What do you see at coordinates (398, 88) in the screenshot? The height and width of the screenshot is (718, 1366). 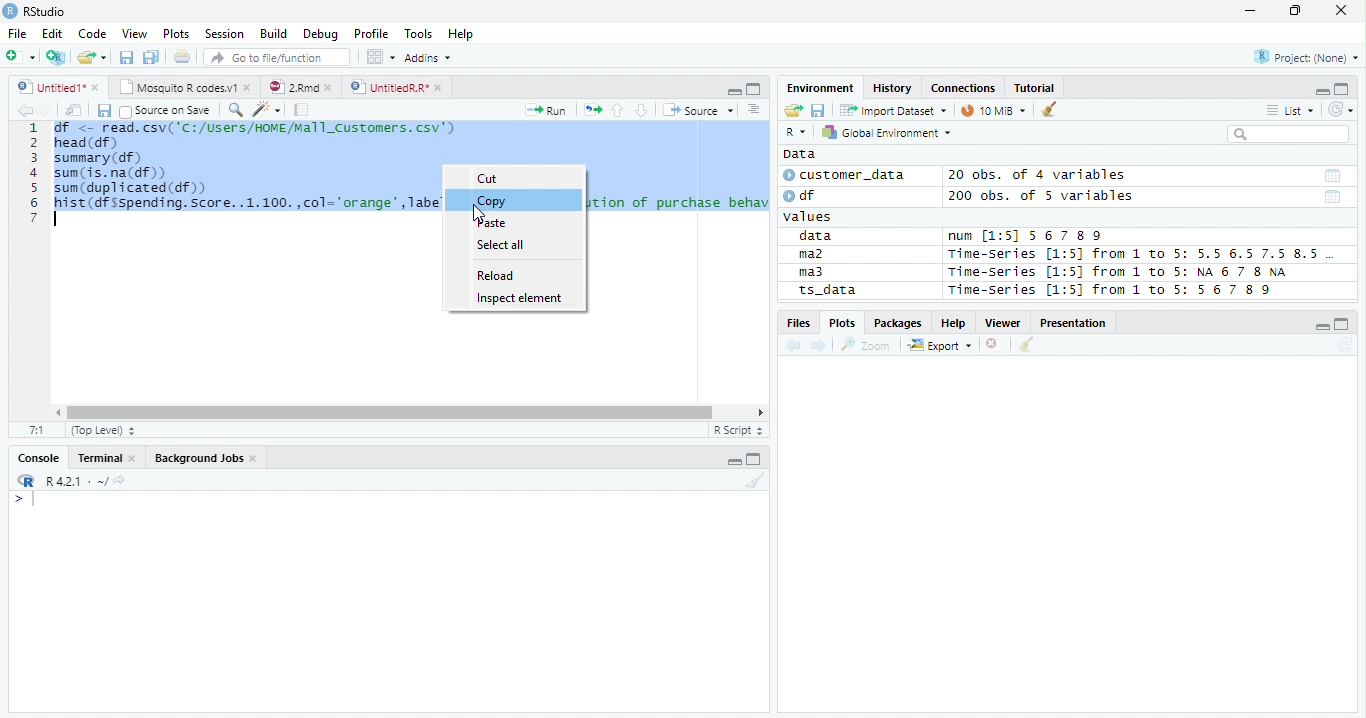 I see `UnititledR.R` at bounding box center [398, 88].